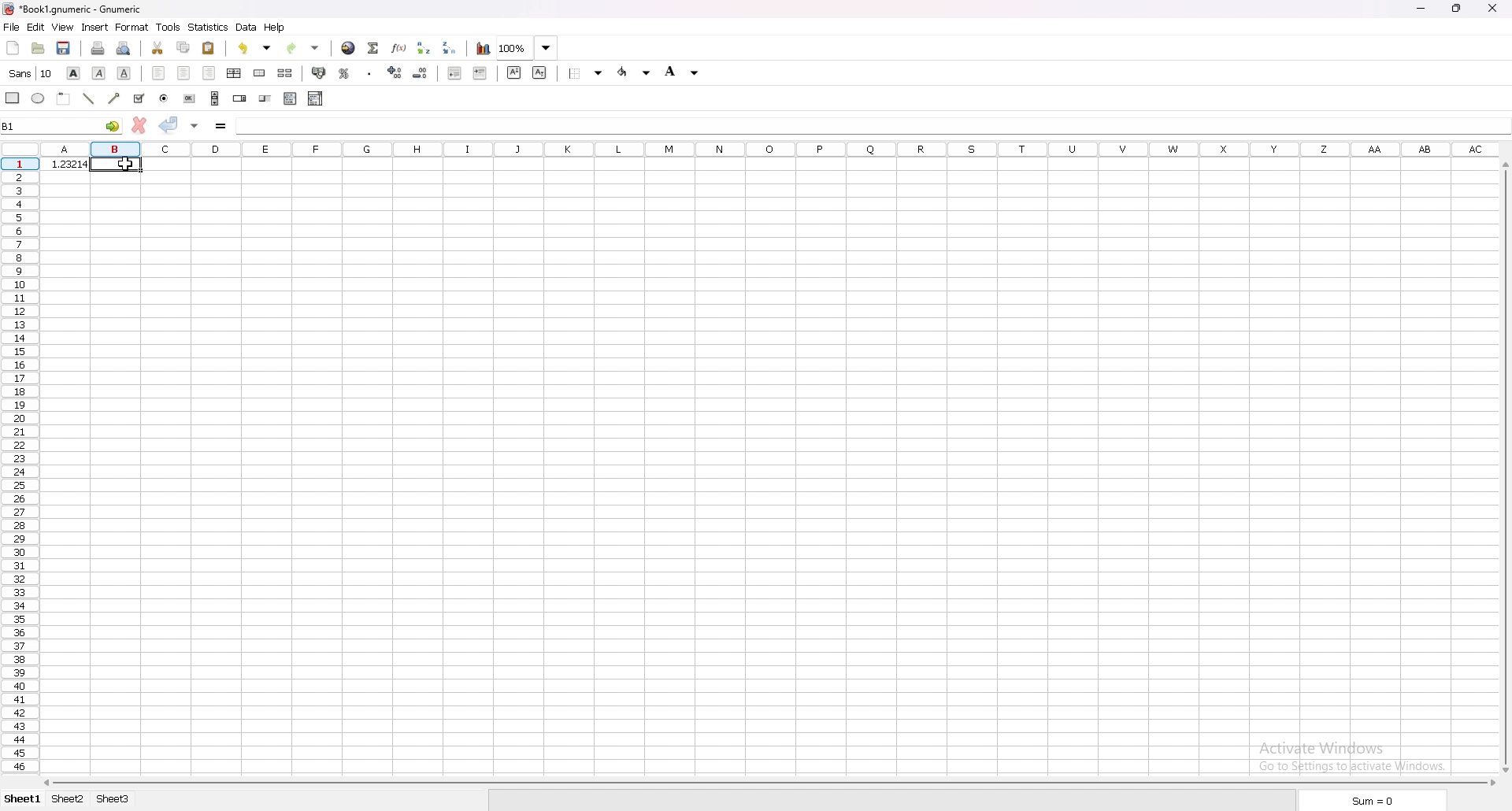  Describe the element at coordinates (222, 124) in the screenshot. I see `formula` at that location.